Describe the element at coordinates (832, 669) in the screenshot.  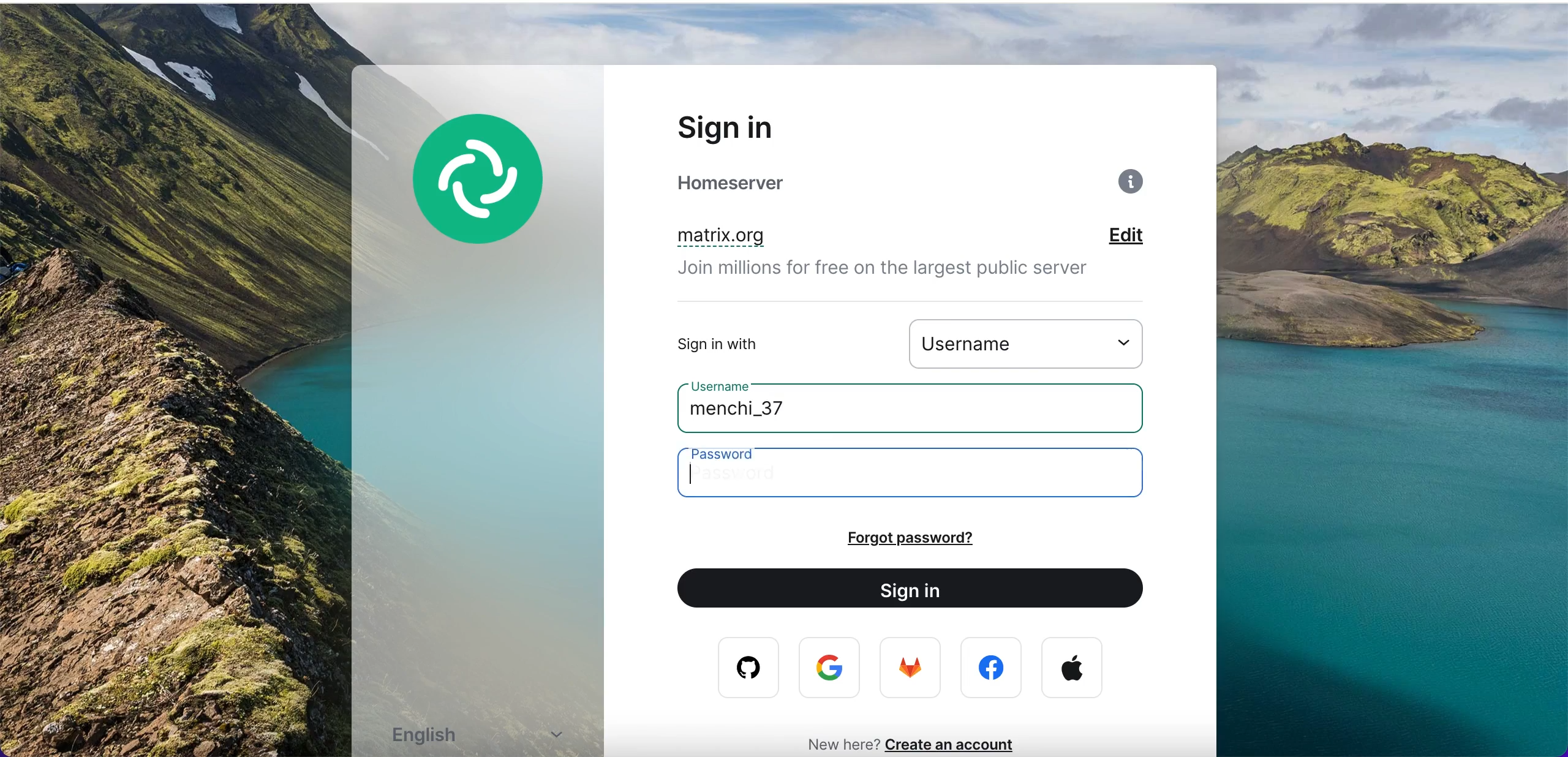
I see `google logo` at that location.